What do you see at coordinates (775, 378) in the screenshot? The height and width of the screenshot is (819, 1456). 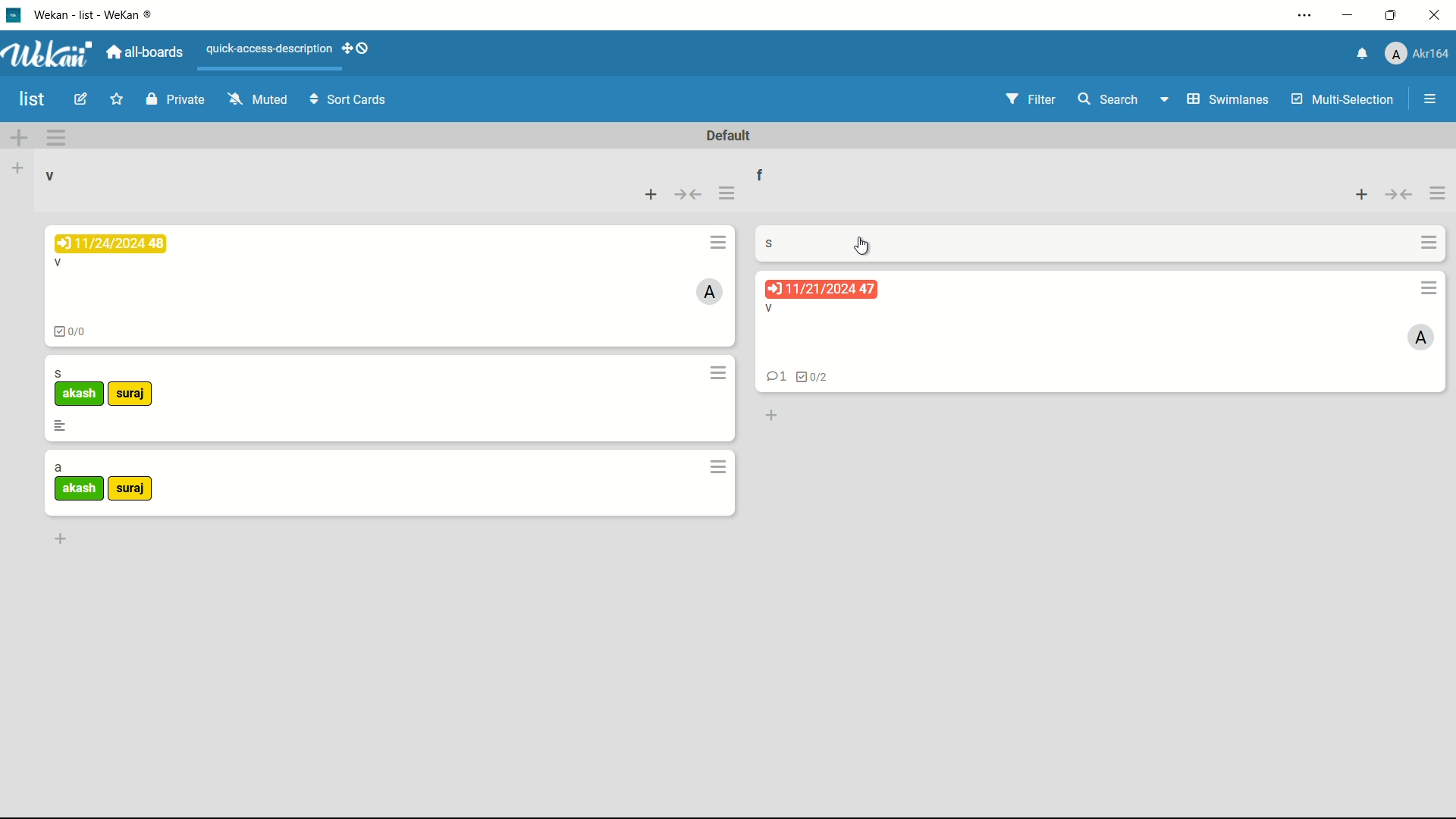 I see `comment` at bounding box center [775, 378].